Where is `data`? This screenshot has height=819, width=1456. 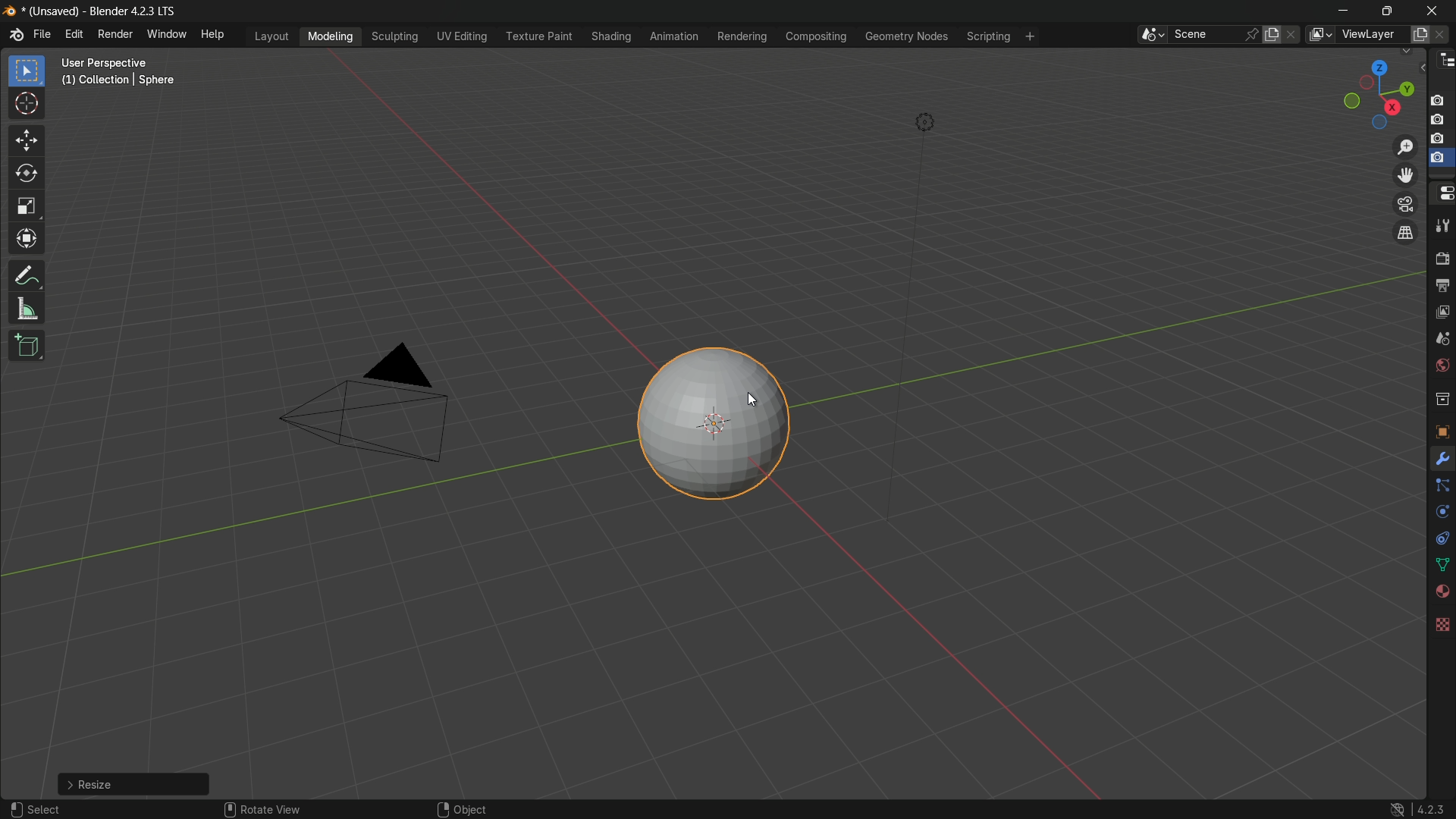 data is located at coordinates (1441, 563).